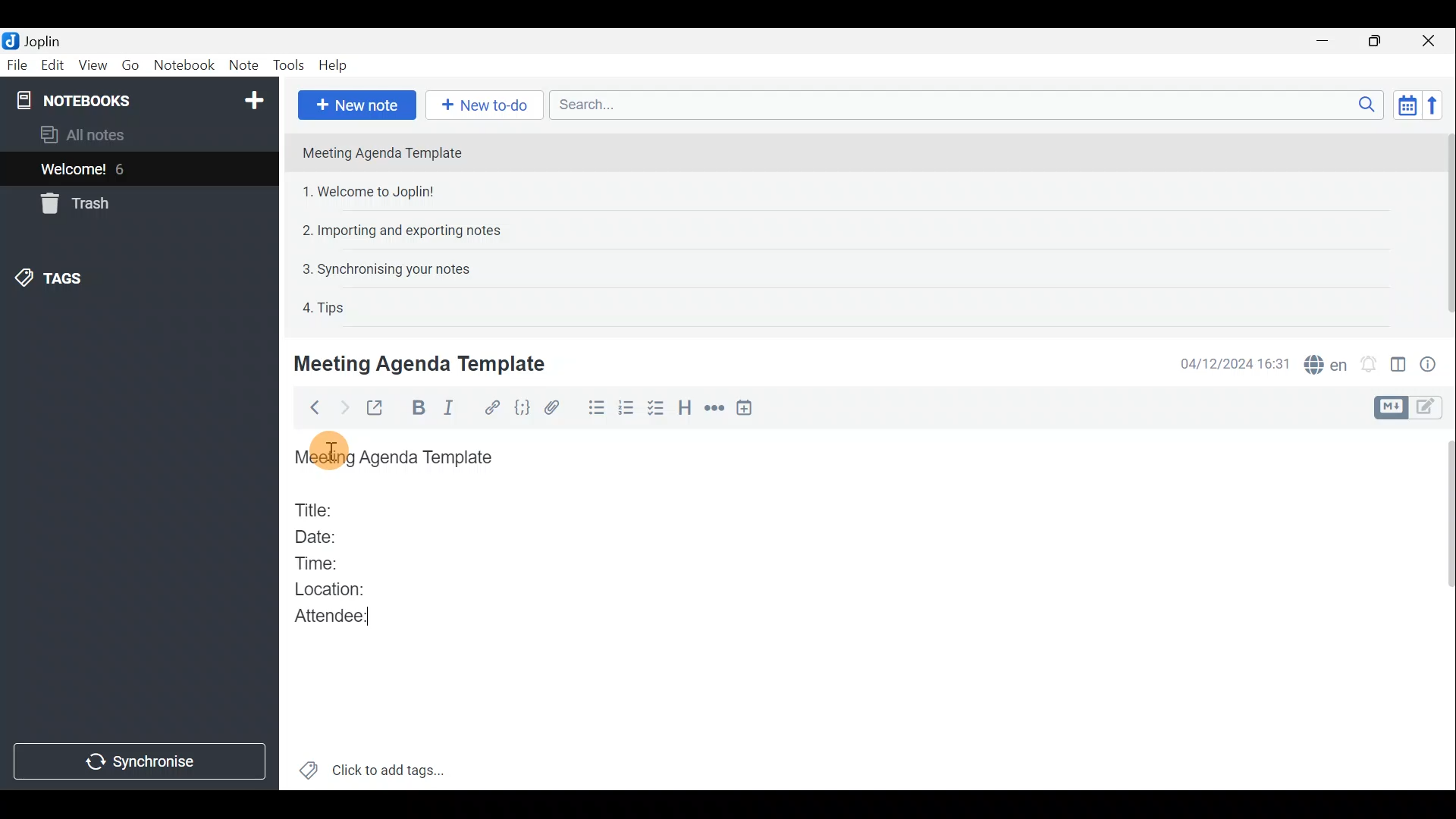  Describe the element at coordinates (1429, 42) in the screenshot. I see `Close` at that location.